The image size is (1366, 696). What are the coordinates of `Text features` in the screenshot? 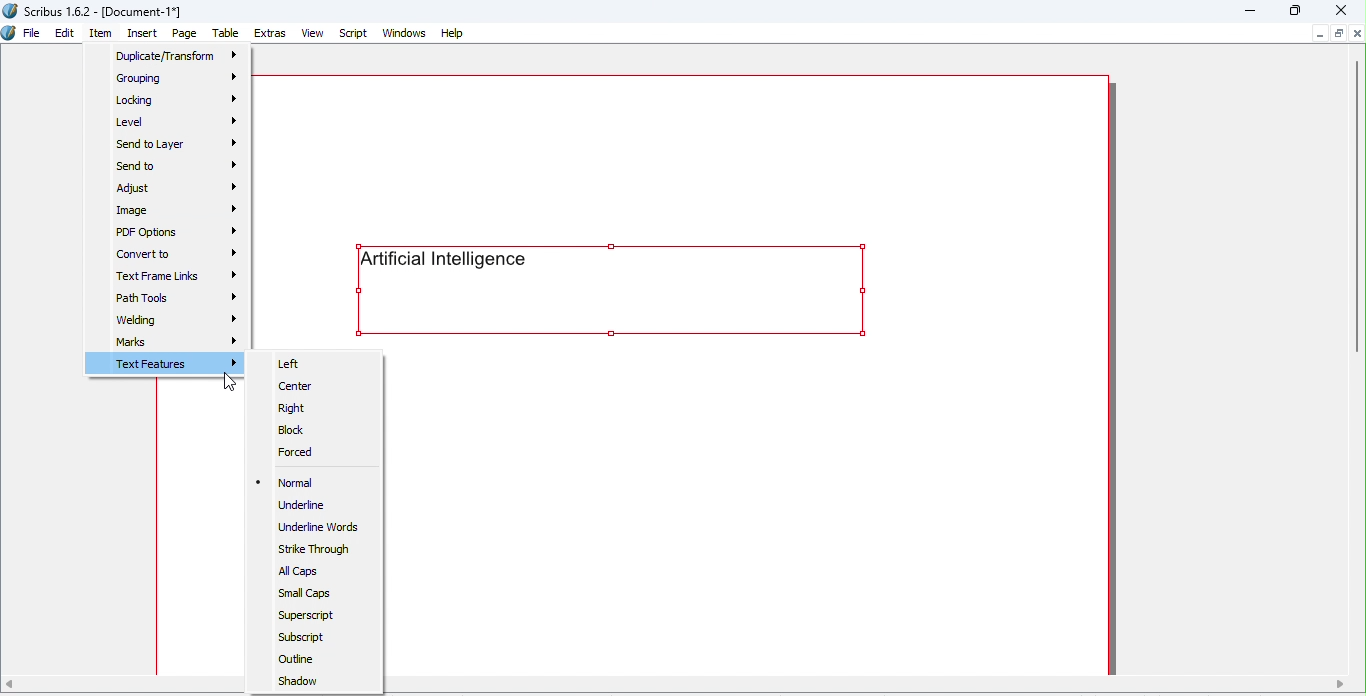 It's located at (165, 362).